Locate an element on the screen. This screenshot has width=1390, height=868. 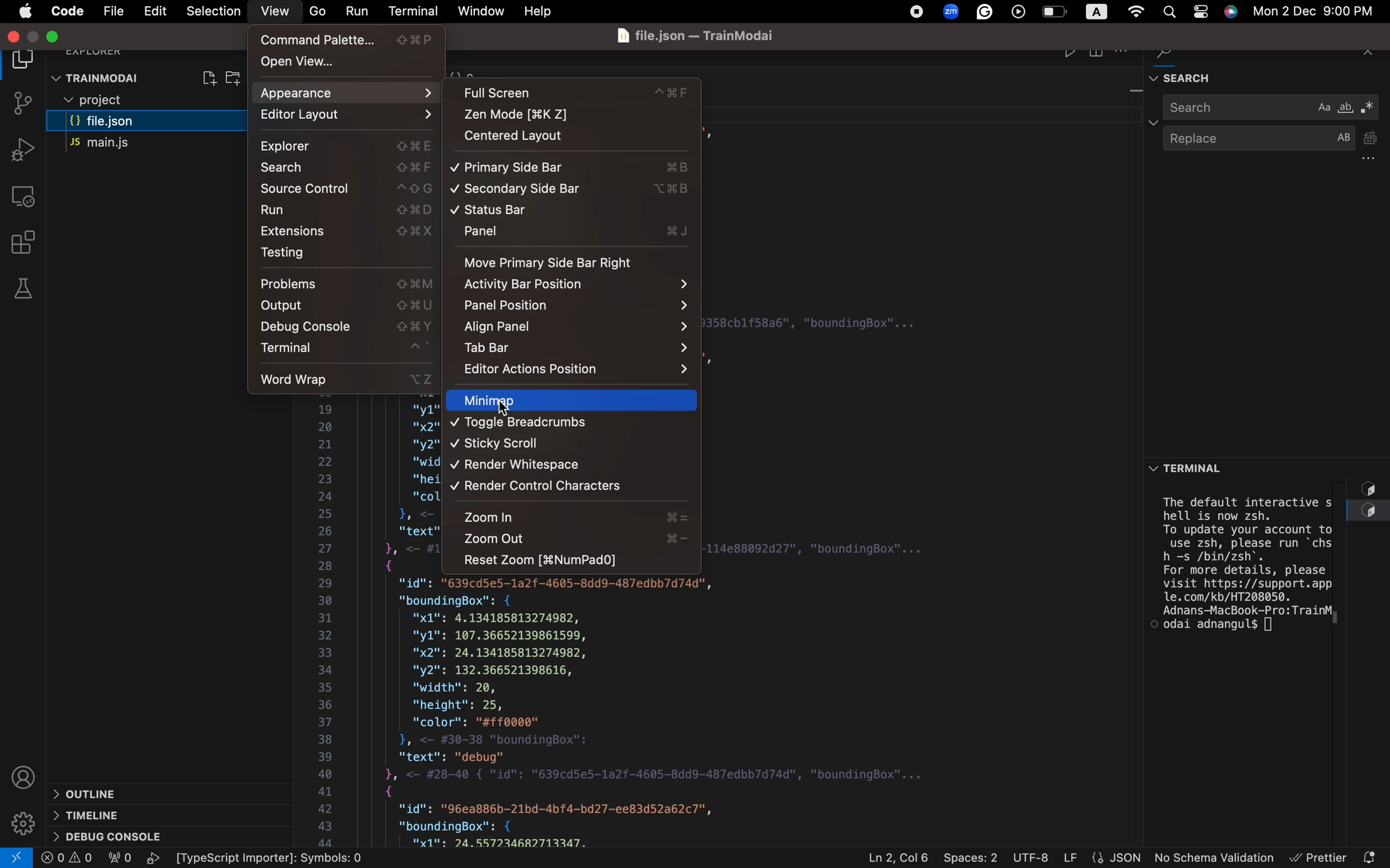
files and folders is located at coordinates (150, 100).